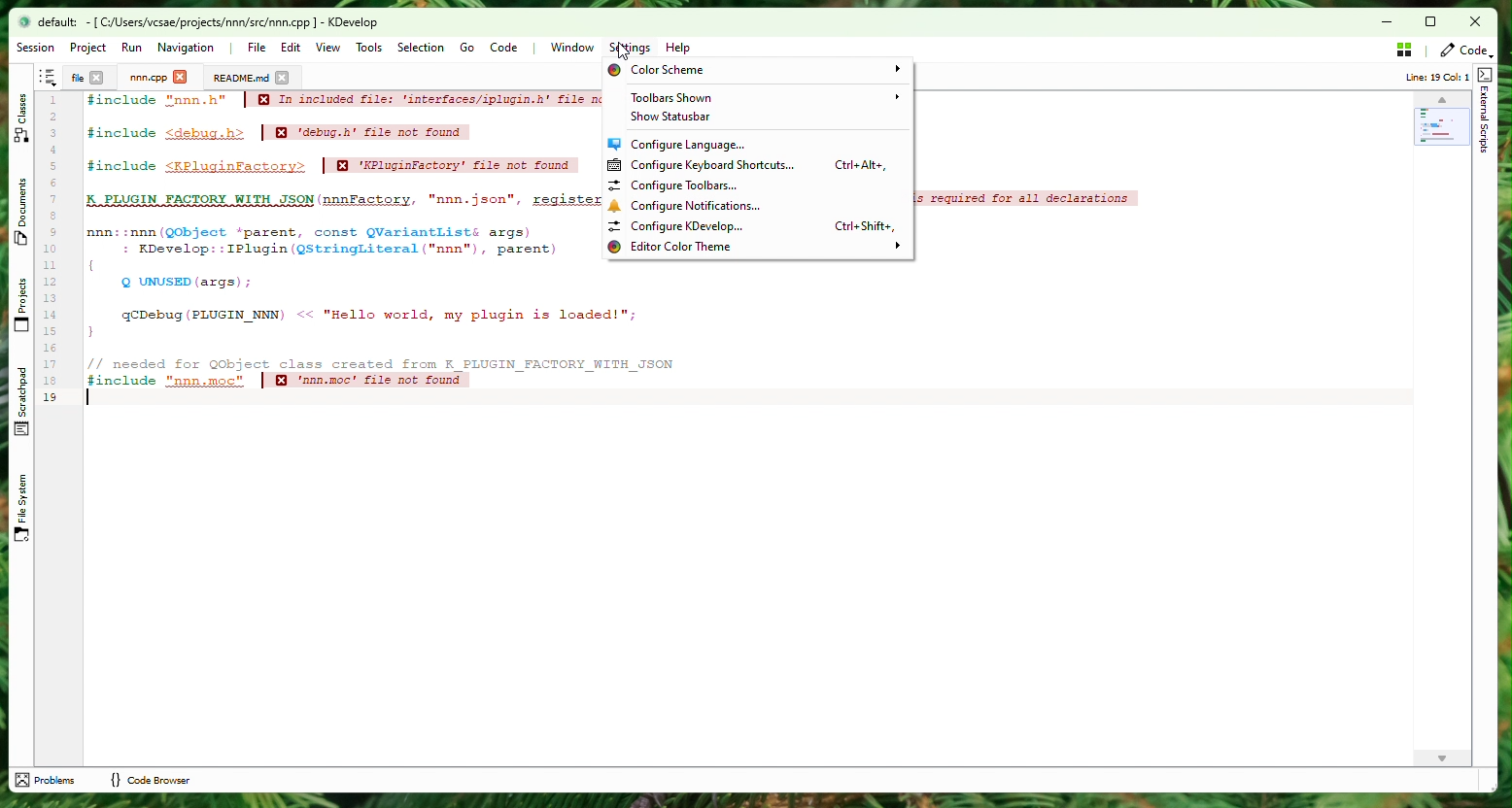 The image size is (1512, 808). Describe the element at coordinates (130, 48) in the screenshot. I see `Run` at that location.